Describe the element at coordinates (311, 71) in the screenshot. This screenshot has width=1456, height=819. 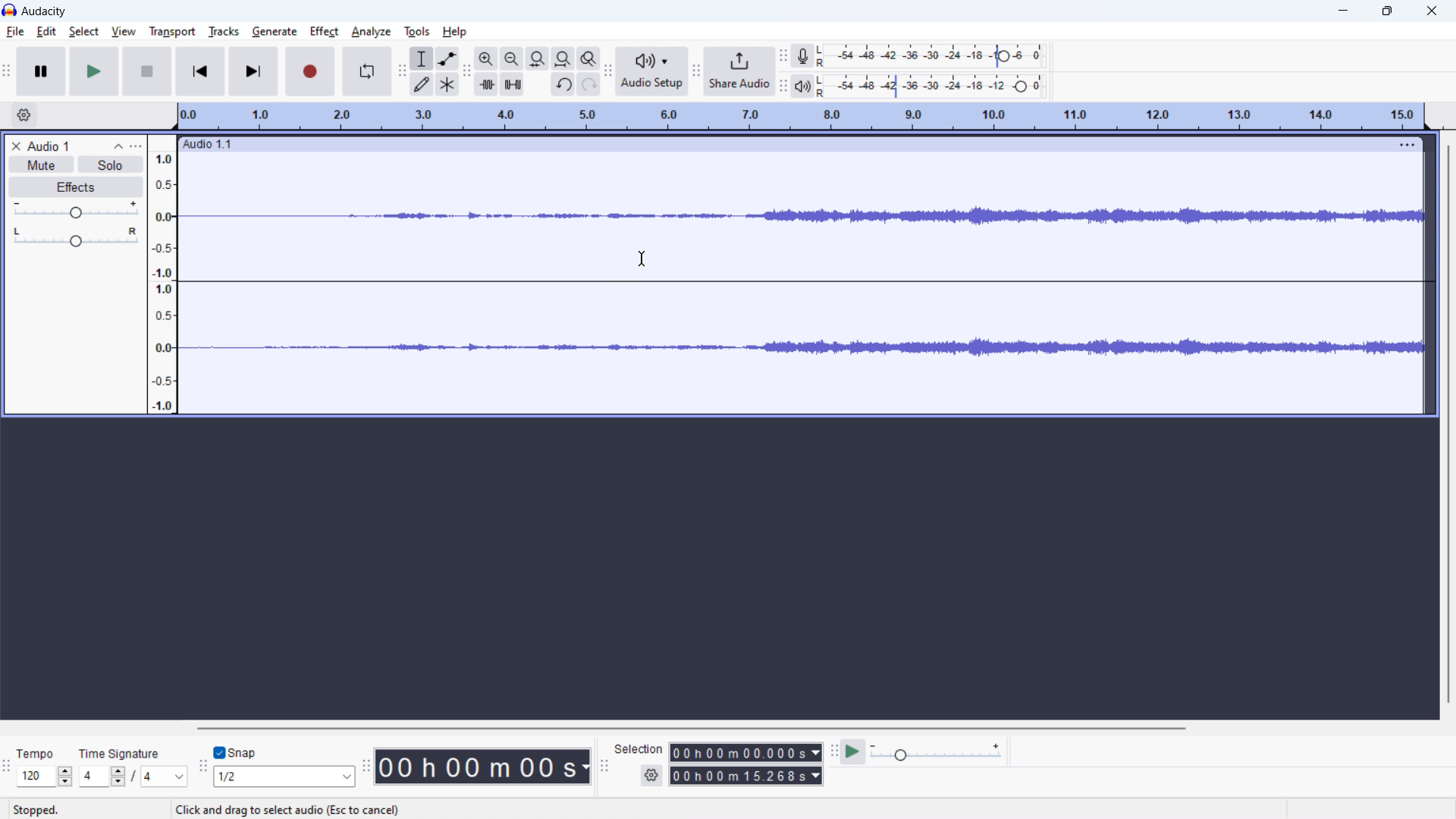
I see `record` at that location.